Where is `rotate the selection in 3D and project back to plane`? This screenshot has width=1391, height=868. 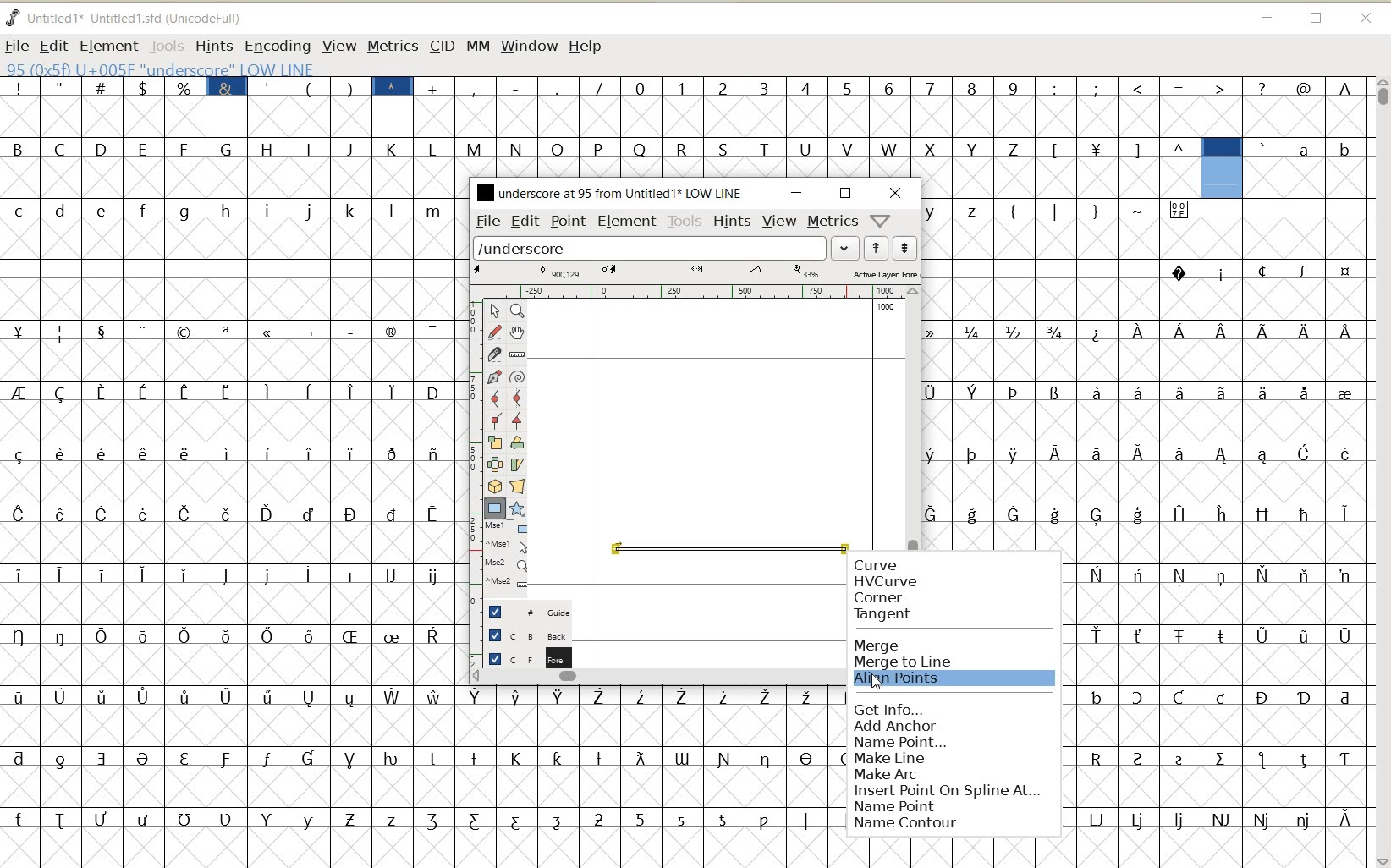 rotate the selection in 3D and project back to plane is located at coordinates (494, 486).